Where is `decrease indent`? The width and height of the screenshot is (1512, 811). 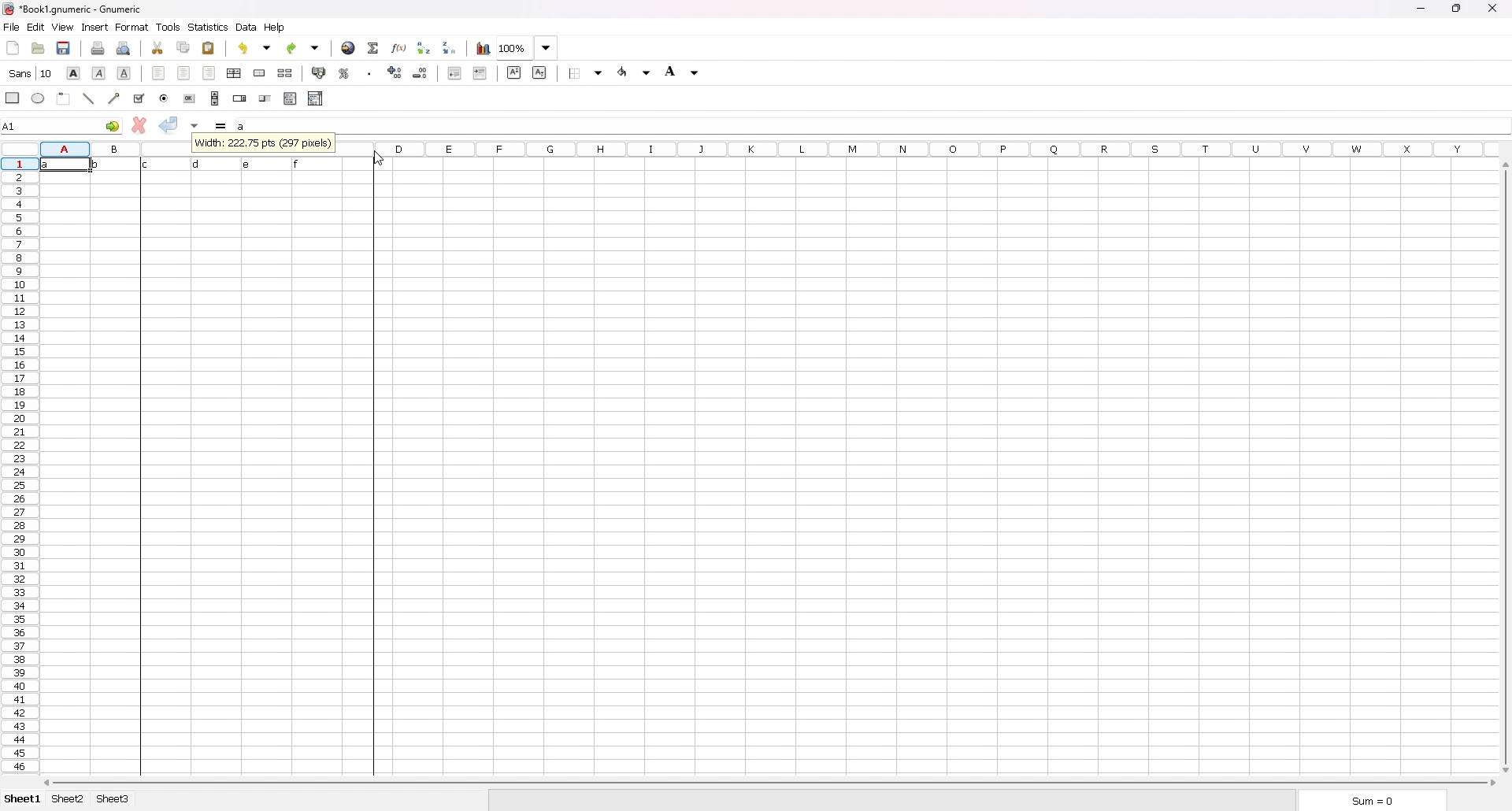 decrease indent is located at coordinates (455, 72).